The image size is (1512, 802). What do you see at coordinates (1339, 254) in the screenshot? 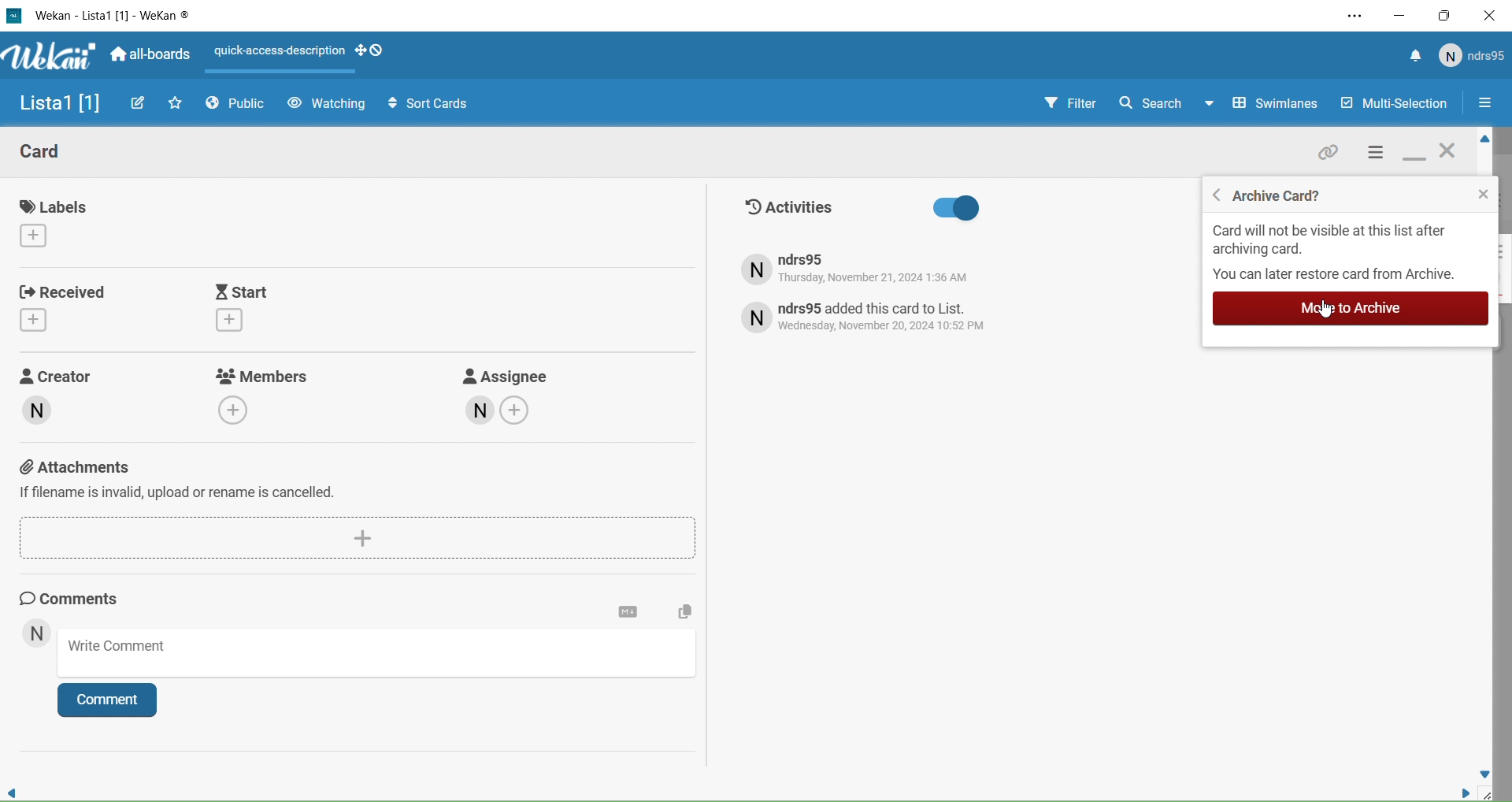
I see `Card will not be visible at this list after
archiving card.
You can later restore card from Archive.` at bounding box center [1339, 254].